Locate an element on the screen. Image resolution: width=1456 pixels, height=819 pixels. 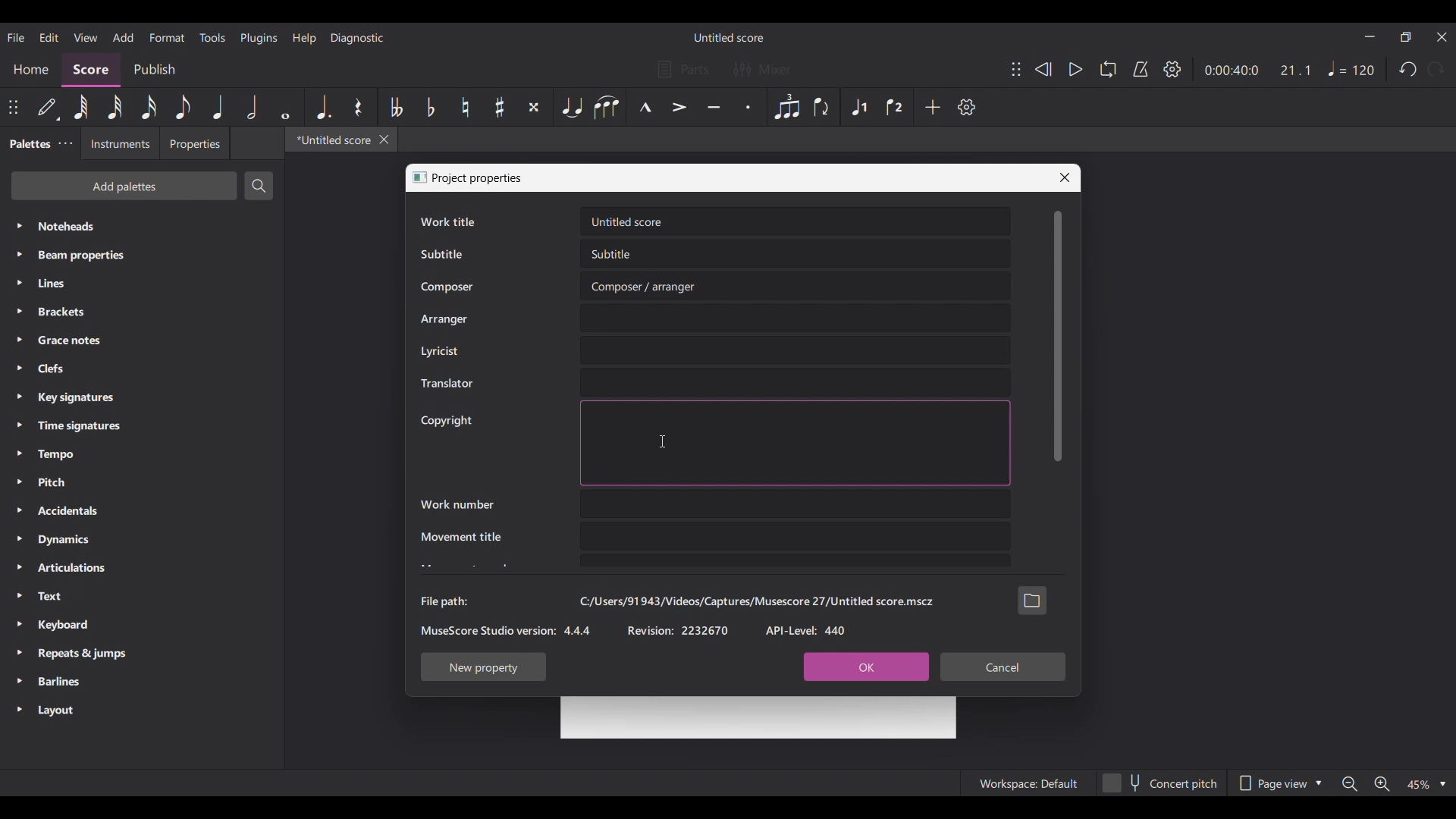
Composer is located at coordinates (447, 287).